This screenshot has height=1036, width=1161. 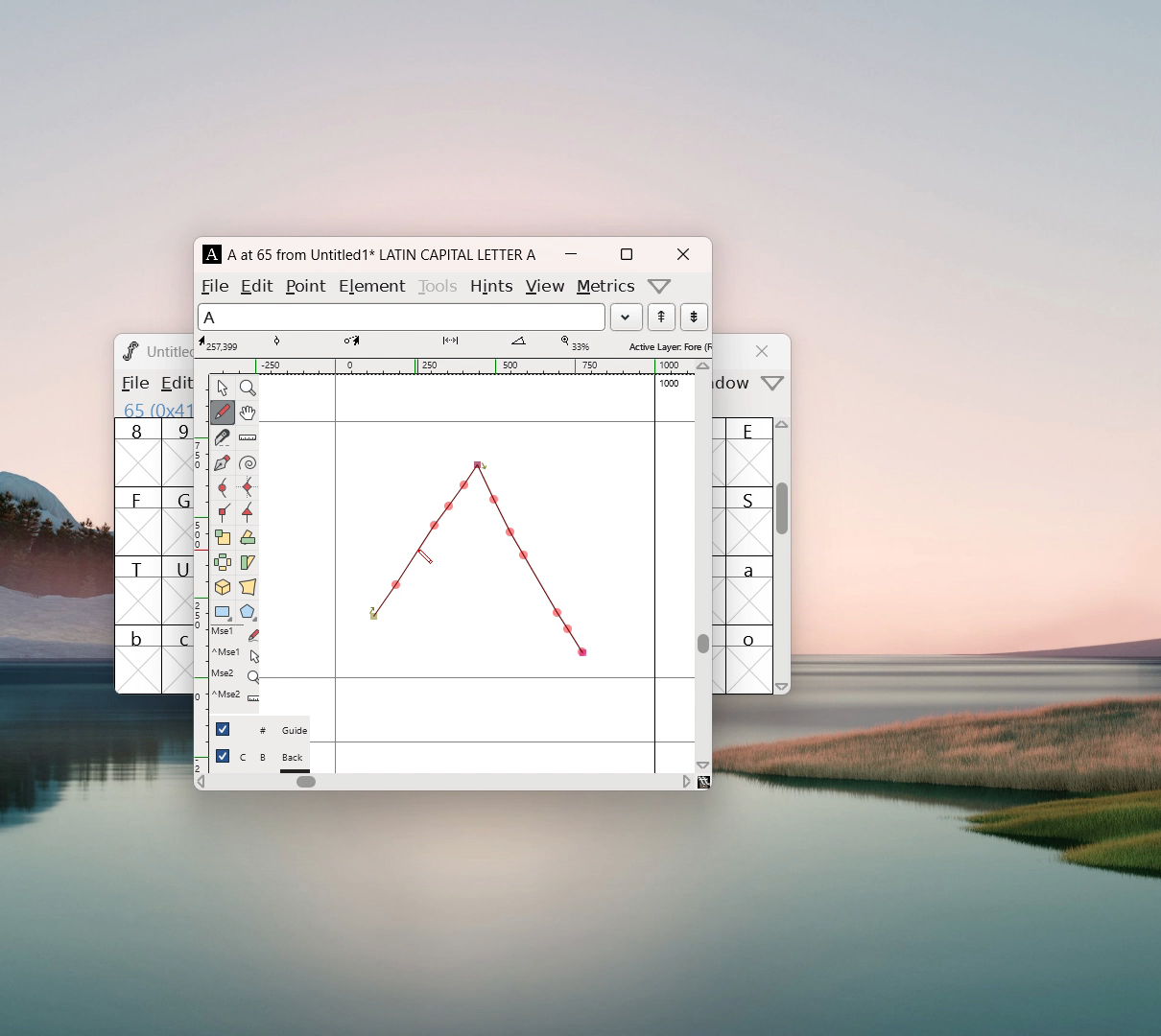 I want to click on a, so click(x=750, y=590).